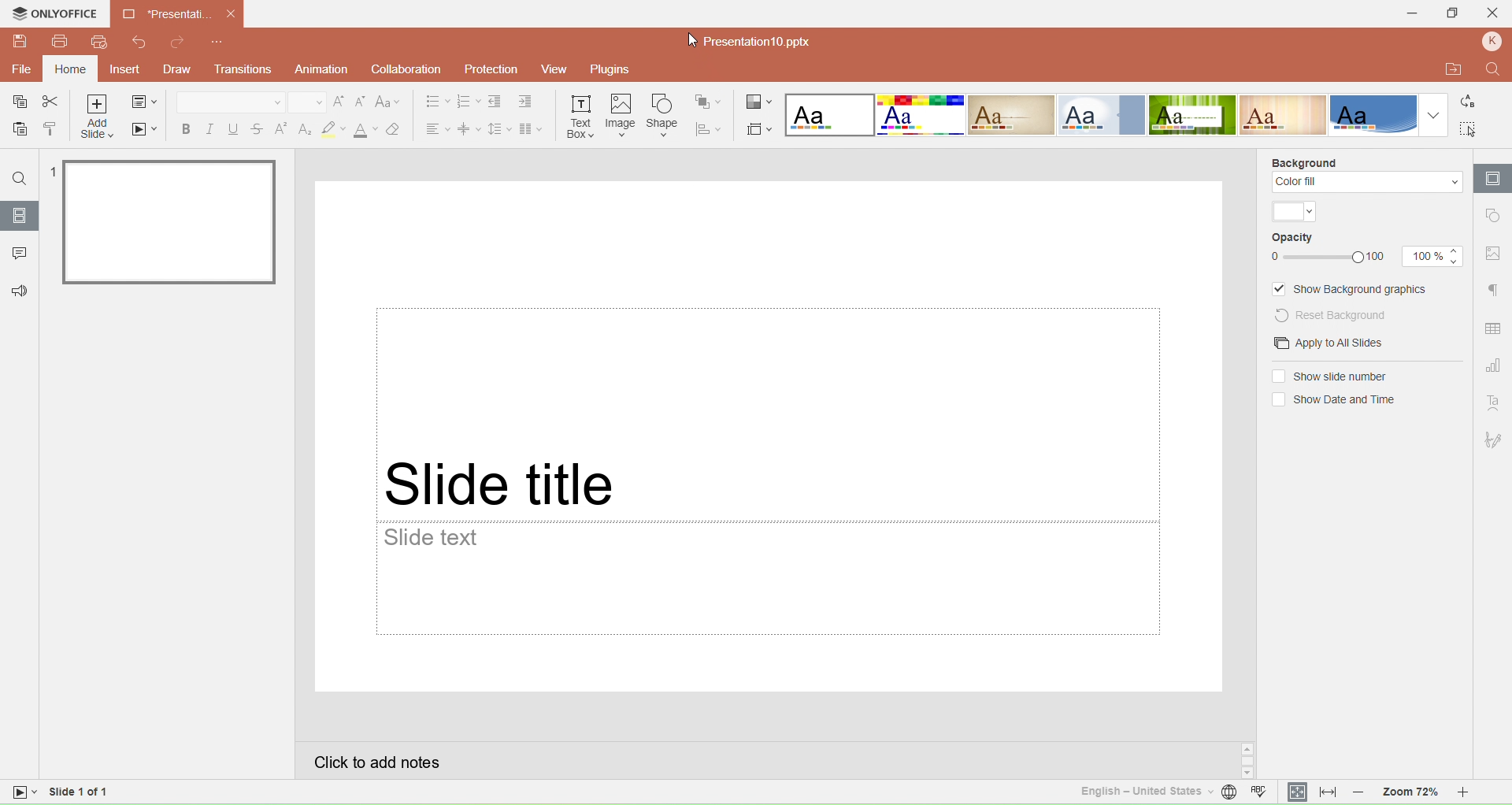  What do you see at coordinates (1473, 103) in the screenshot?
I see `Replace` at bounding box center [1473, 103].